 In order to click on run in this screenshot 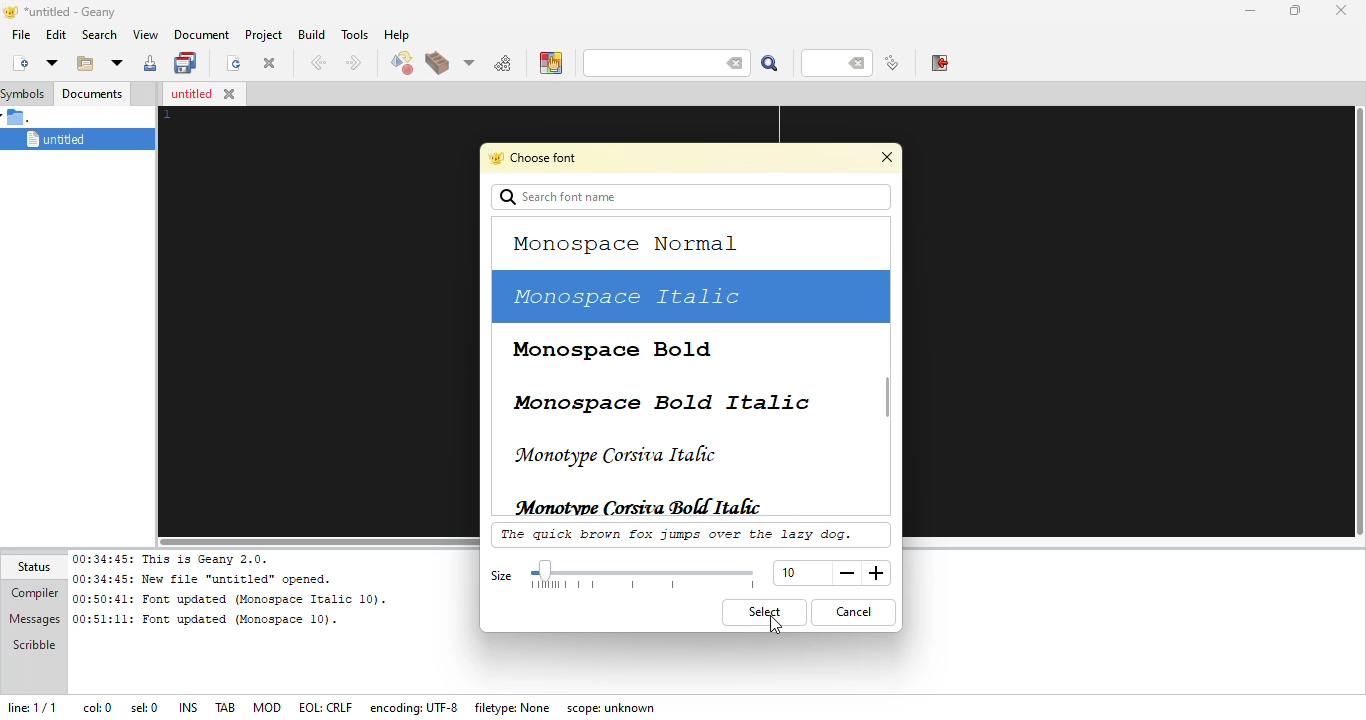, I will do `click(503, 63)`.